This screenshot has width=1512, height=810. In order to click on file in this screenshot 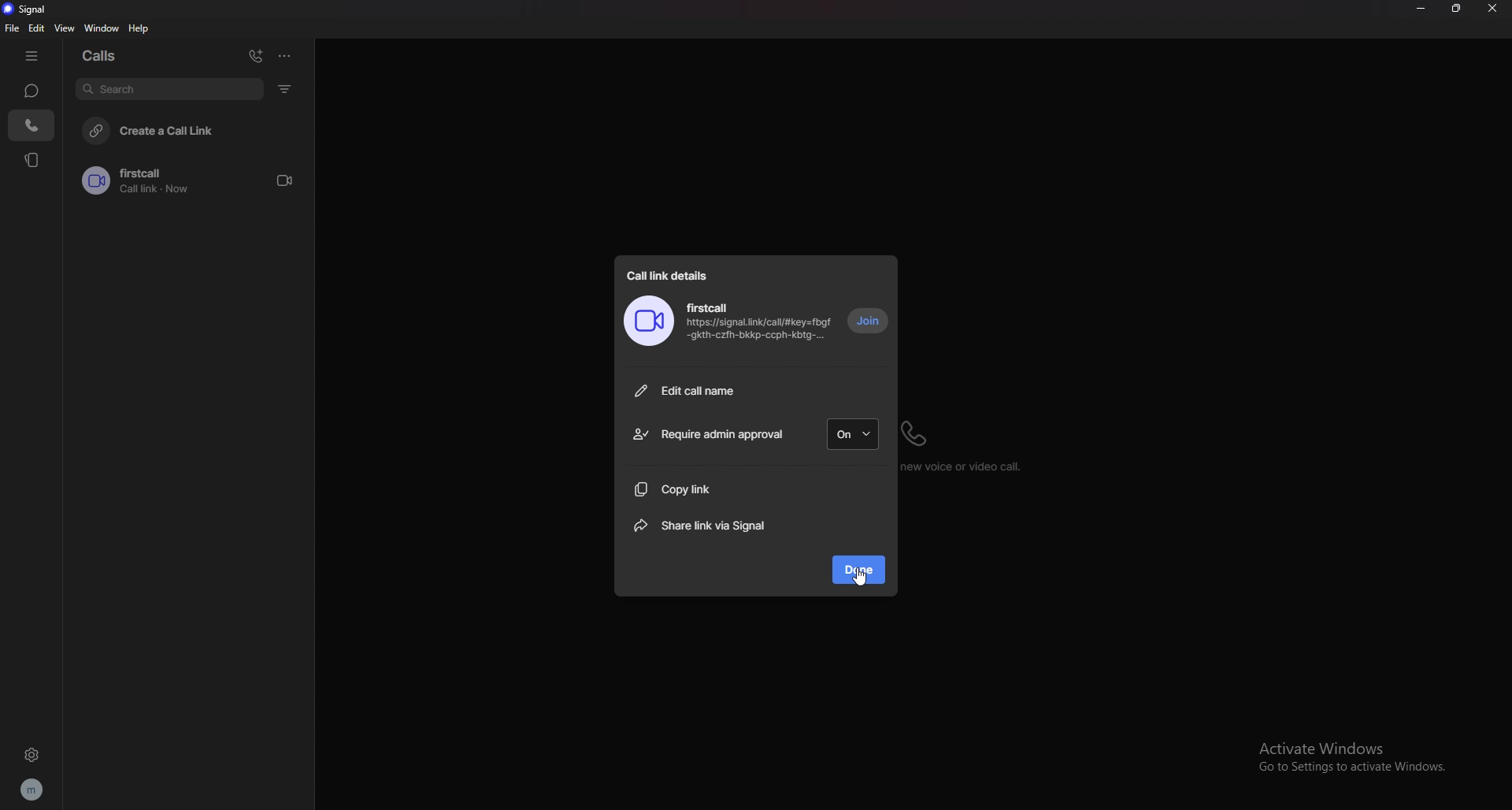, I will do `click(13, 28)`.